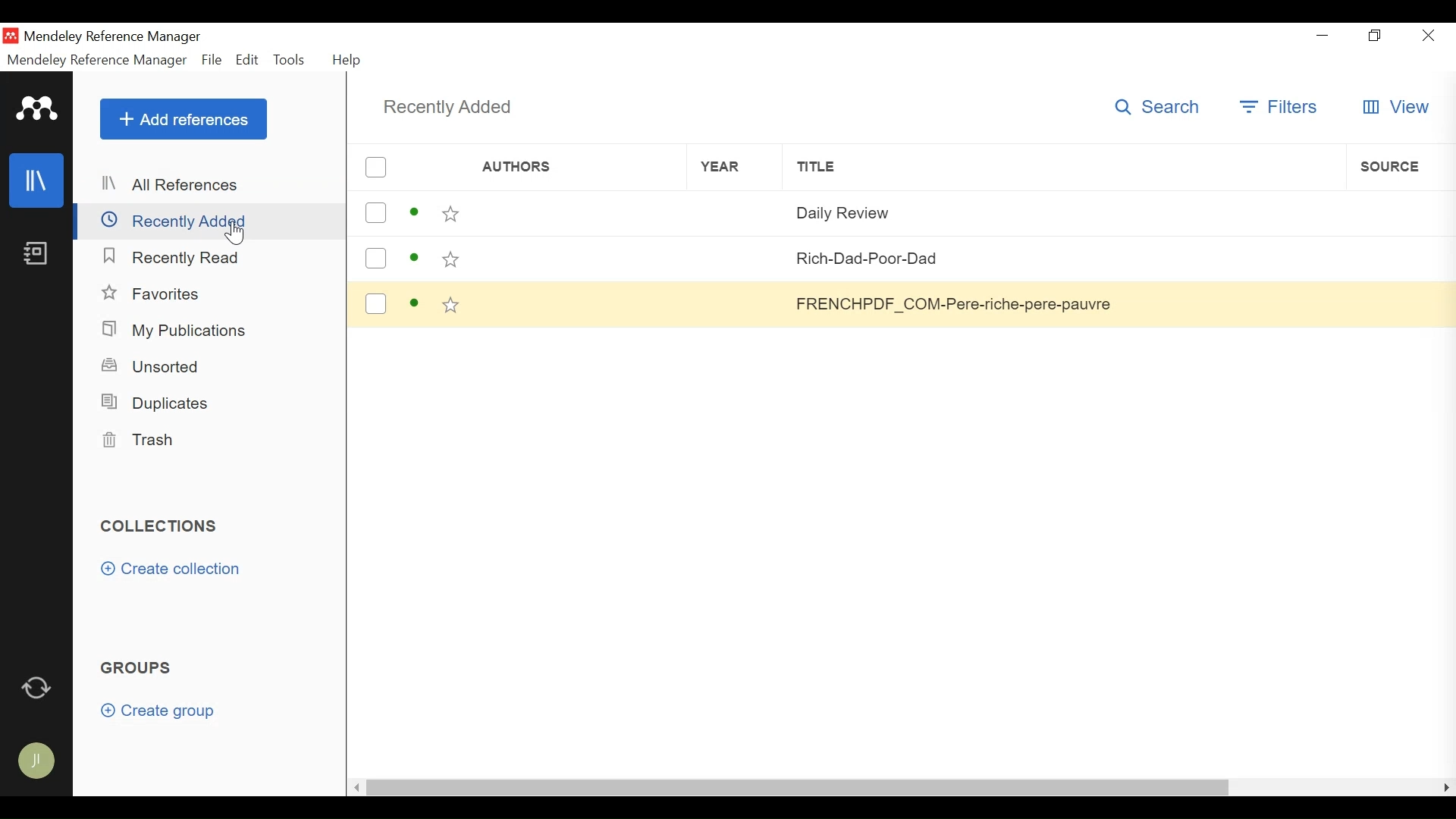 The image size is (1456, 819). What do you see at coordinates (558, 306) in the screenshot?
I see `Author` at bounding box center [558, 306].